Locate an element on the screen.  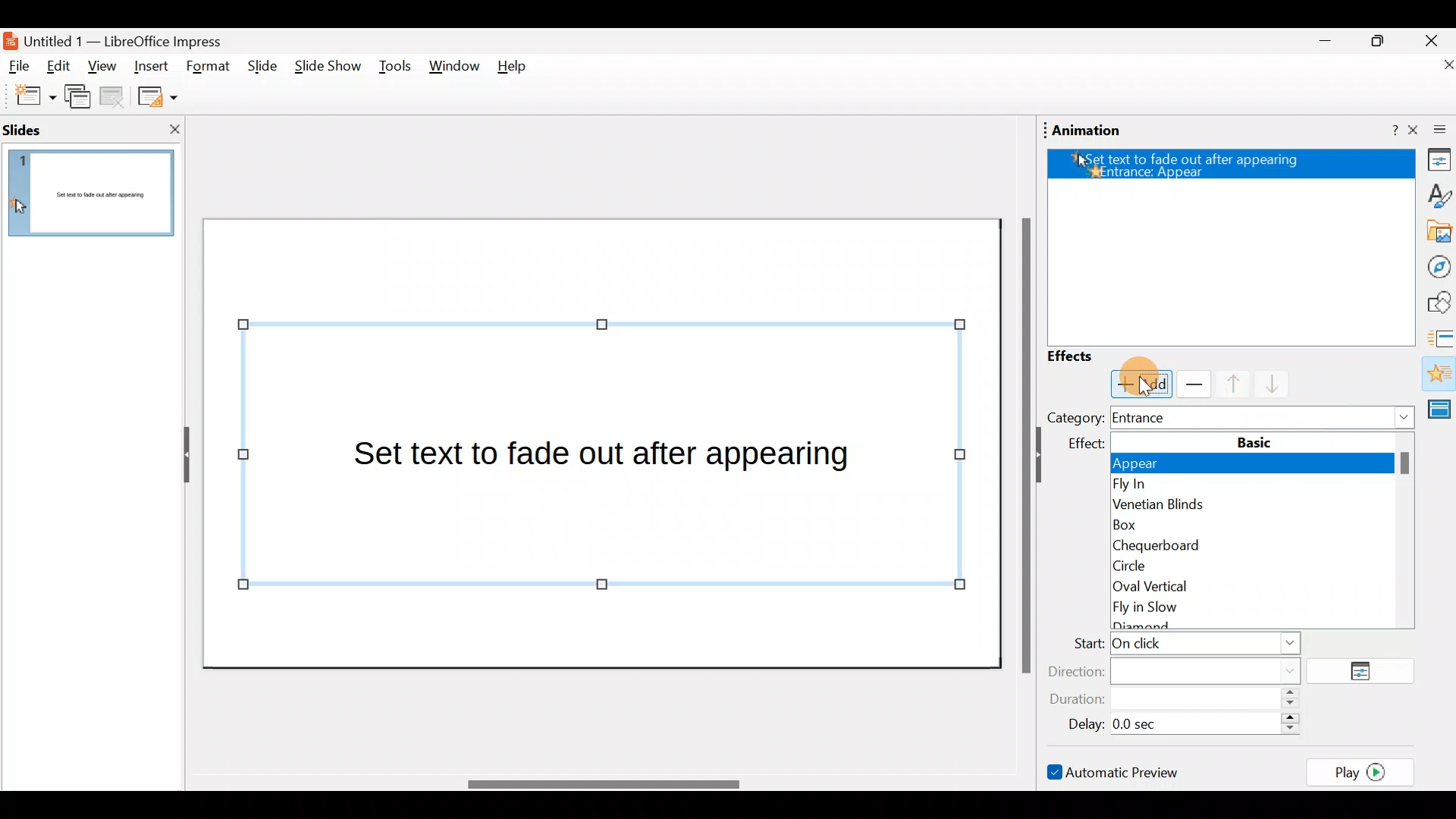
Fly In is located at coordinates (1253, 485).